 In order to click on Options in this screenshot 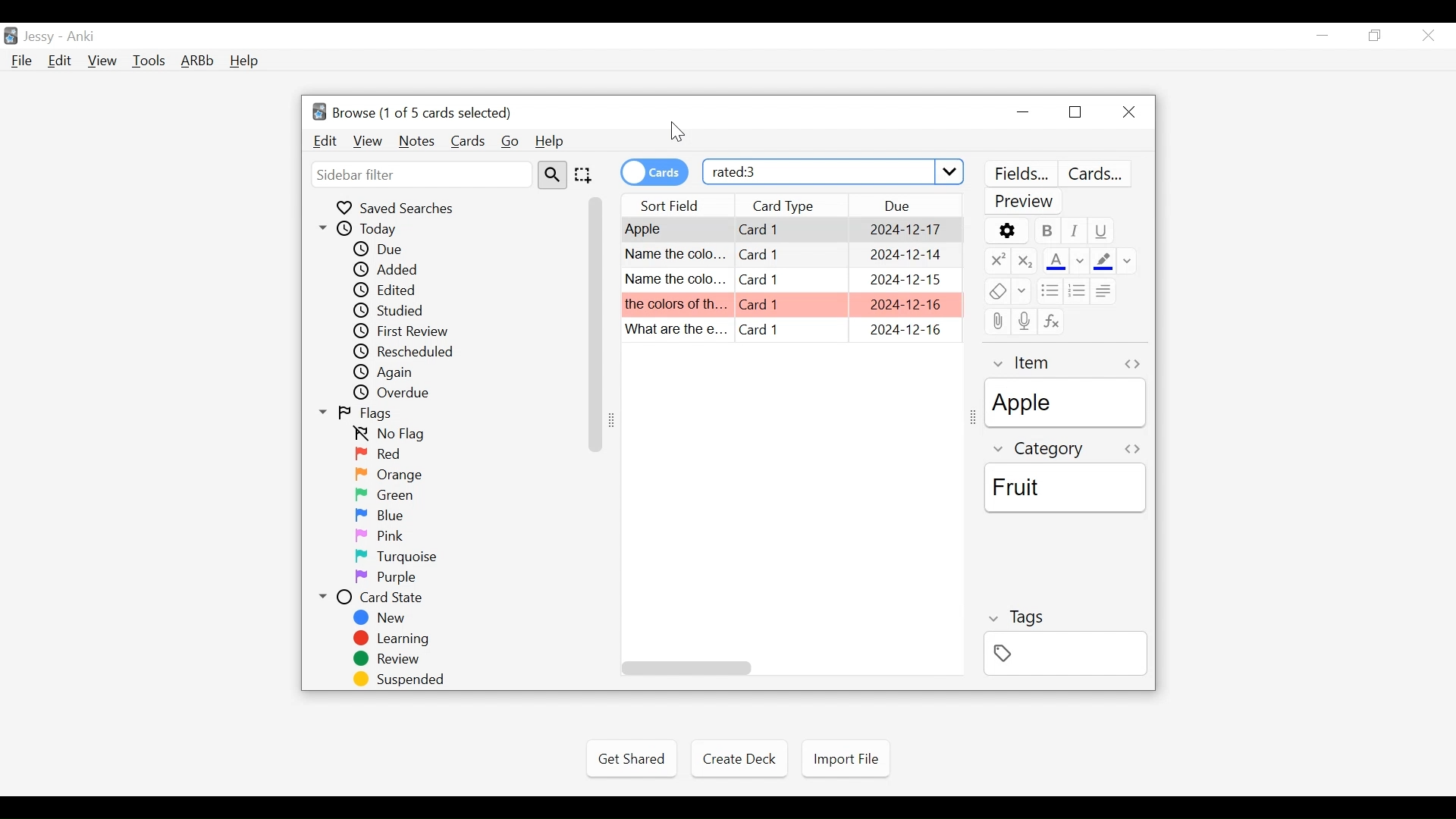, I will do `click(1008, 231)`.